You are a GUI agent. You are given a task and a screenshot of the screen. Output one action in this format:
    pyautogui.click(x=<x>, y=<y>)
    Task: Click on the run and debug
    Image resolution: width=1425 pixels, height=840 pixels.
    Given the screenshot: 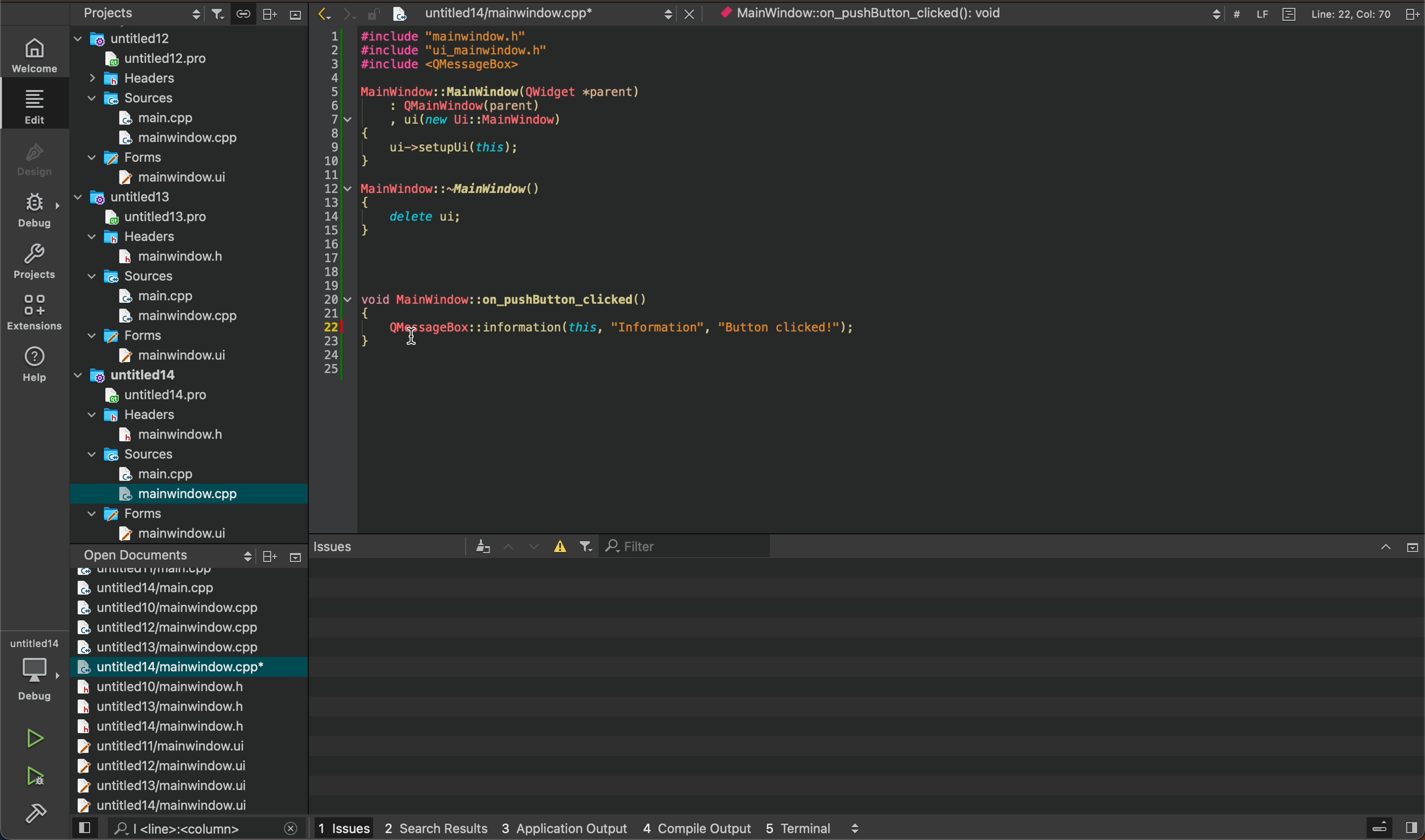 What is the action you would take?
    pyautogui.click(x=36, y=777)
    